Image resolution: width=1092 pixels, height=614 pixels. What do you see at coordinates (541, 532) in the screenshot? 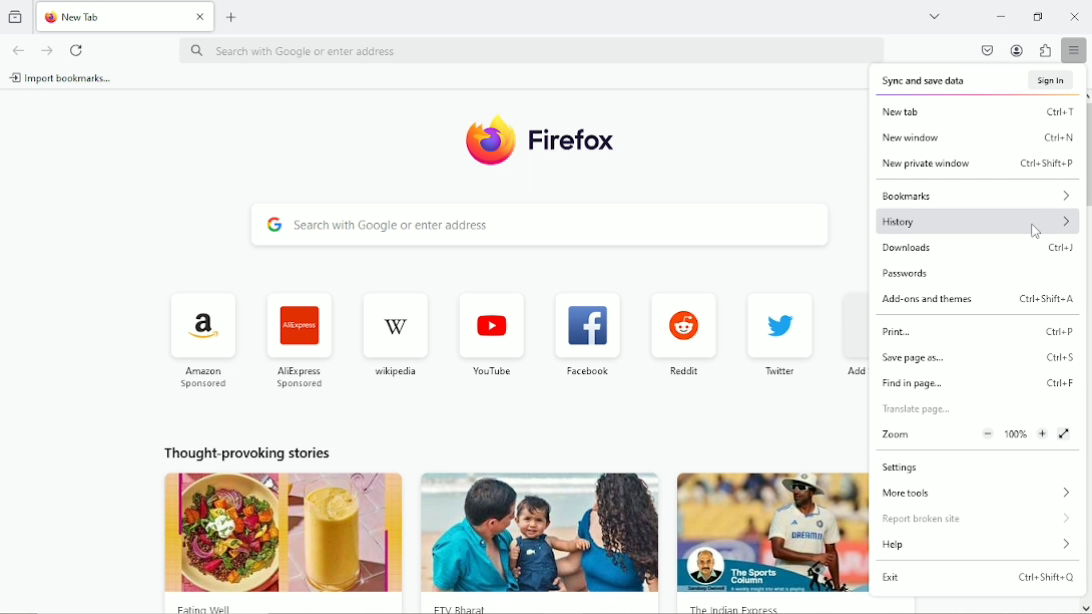
I see `image` at bounding box center [541, 532].